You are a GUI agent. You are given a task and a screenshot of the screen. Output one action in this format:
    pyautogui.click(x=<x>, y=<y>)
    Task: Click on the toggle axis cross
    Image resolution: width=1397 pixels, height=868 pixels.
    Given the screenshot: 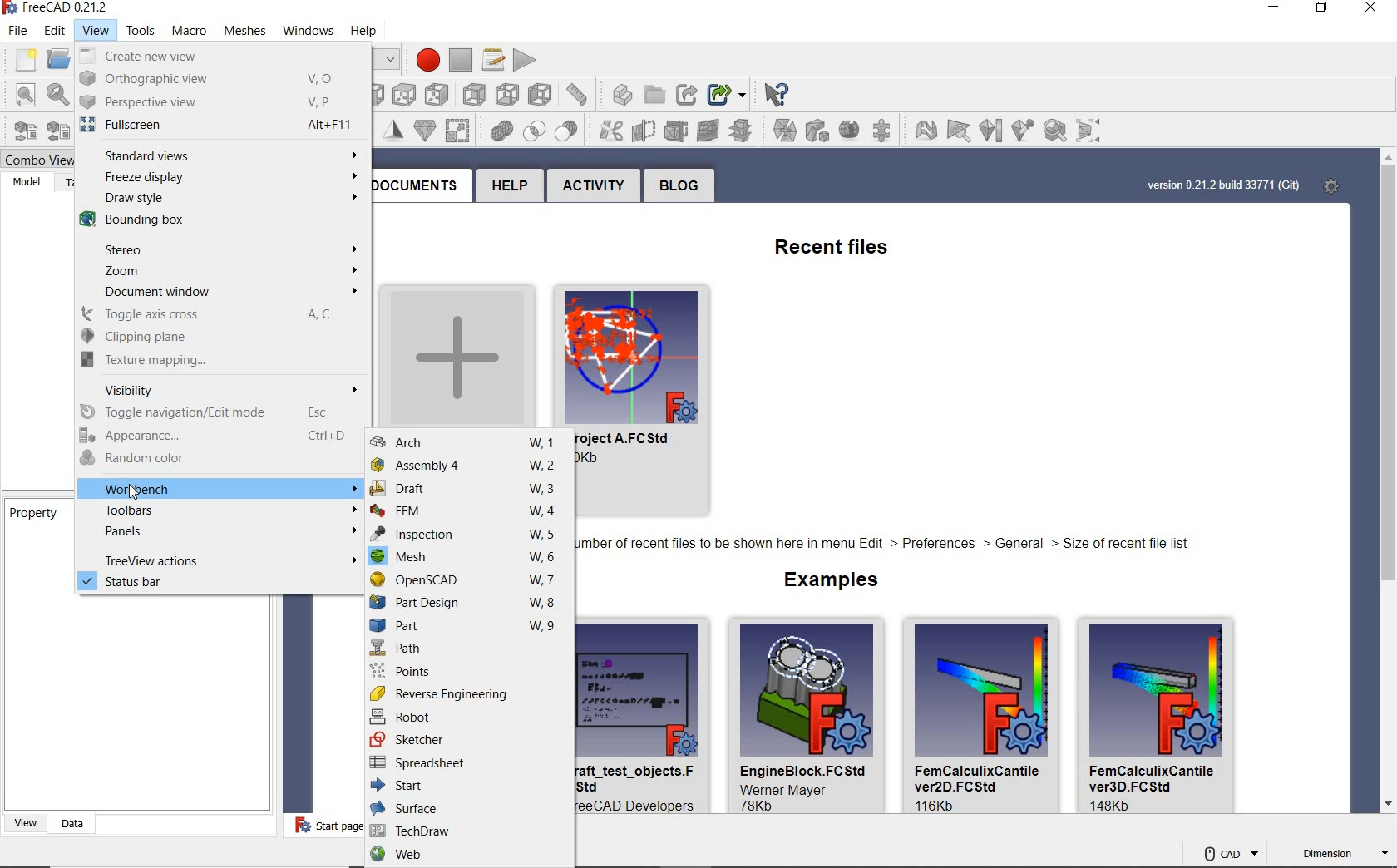 What is the action you would take?
    pyautogui.click(x=210, y=314)
    